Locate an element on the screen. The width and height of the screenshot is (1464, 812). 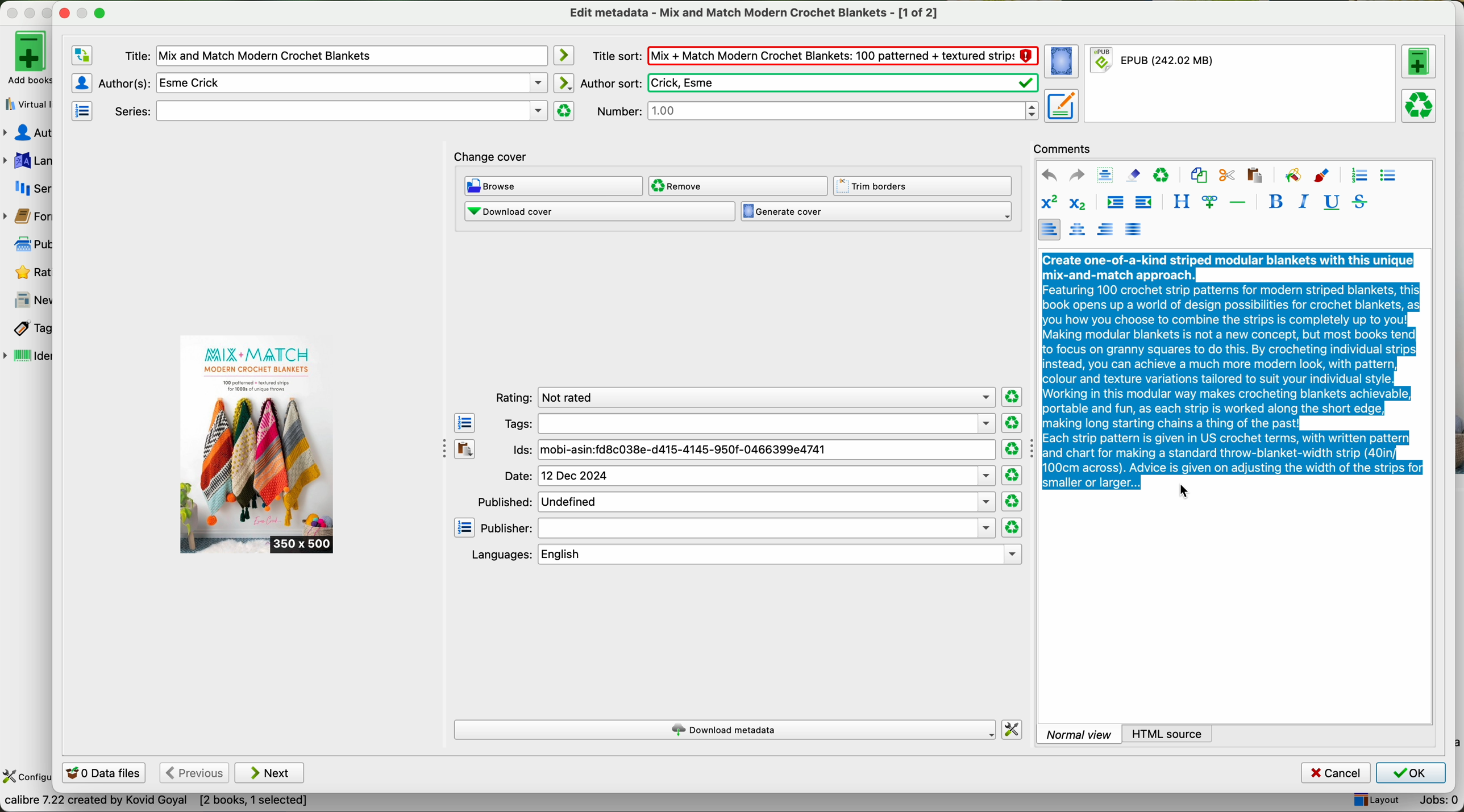
next is located at coordinates (270, 773).